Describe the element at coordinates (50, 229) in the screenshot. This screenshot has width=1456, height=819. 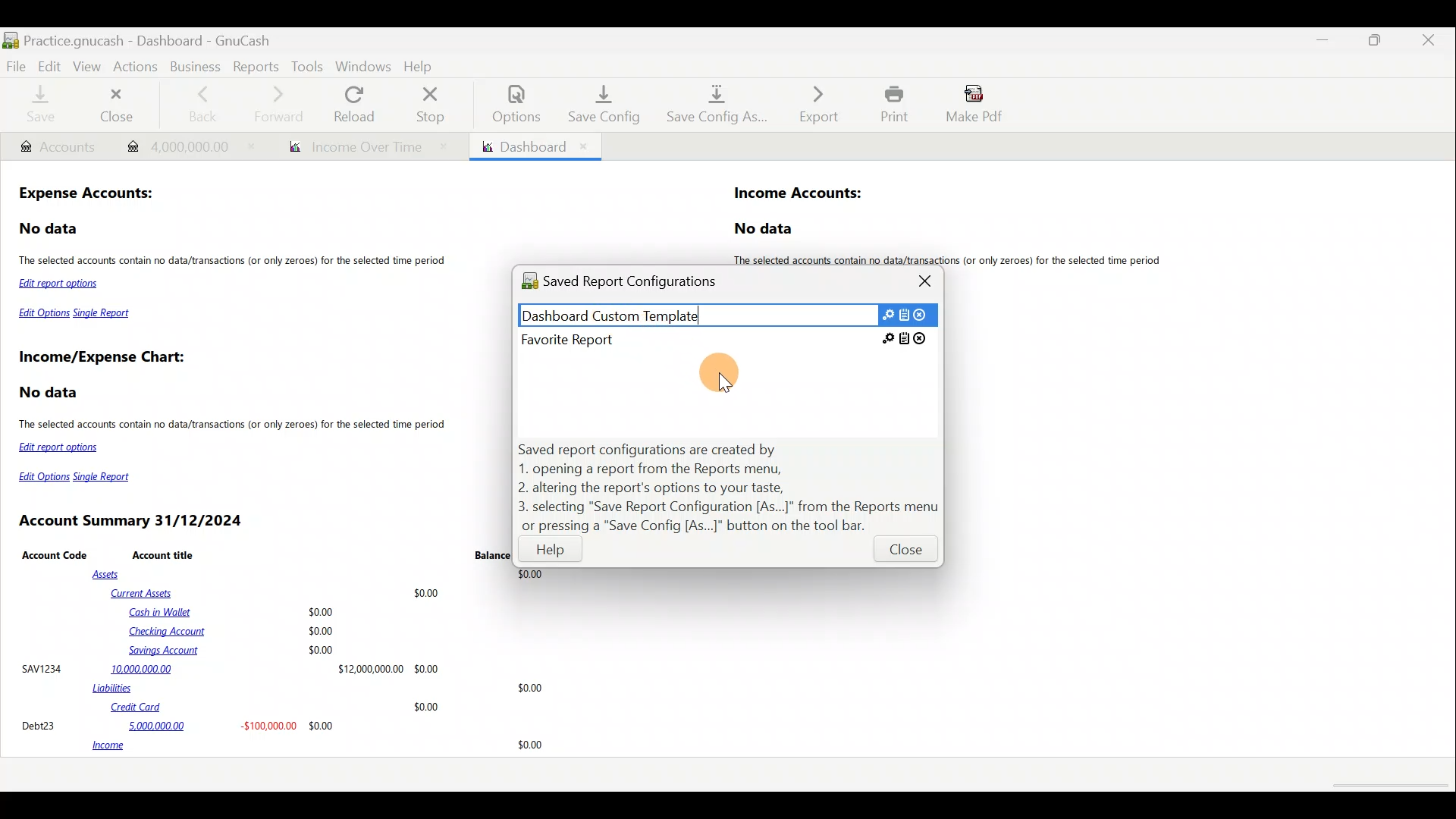
I see `No data` at that location.